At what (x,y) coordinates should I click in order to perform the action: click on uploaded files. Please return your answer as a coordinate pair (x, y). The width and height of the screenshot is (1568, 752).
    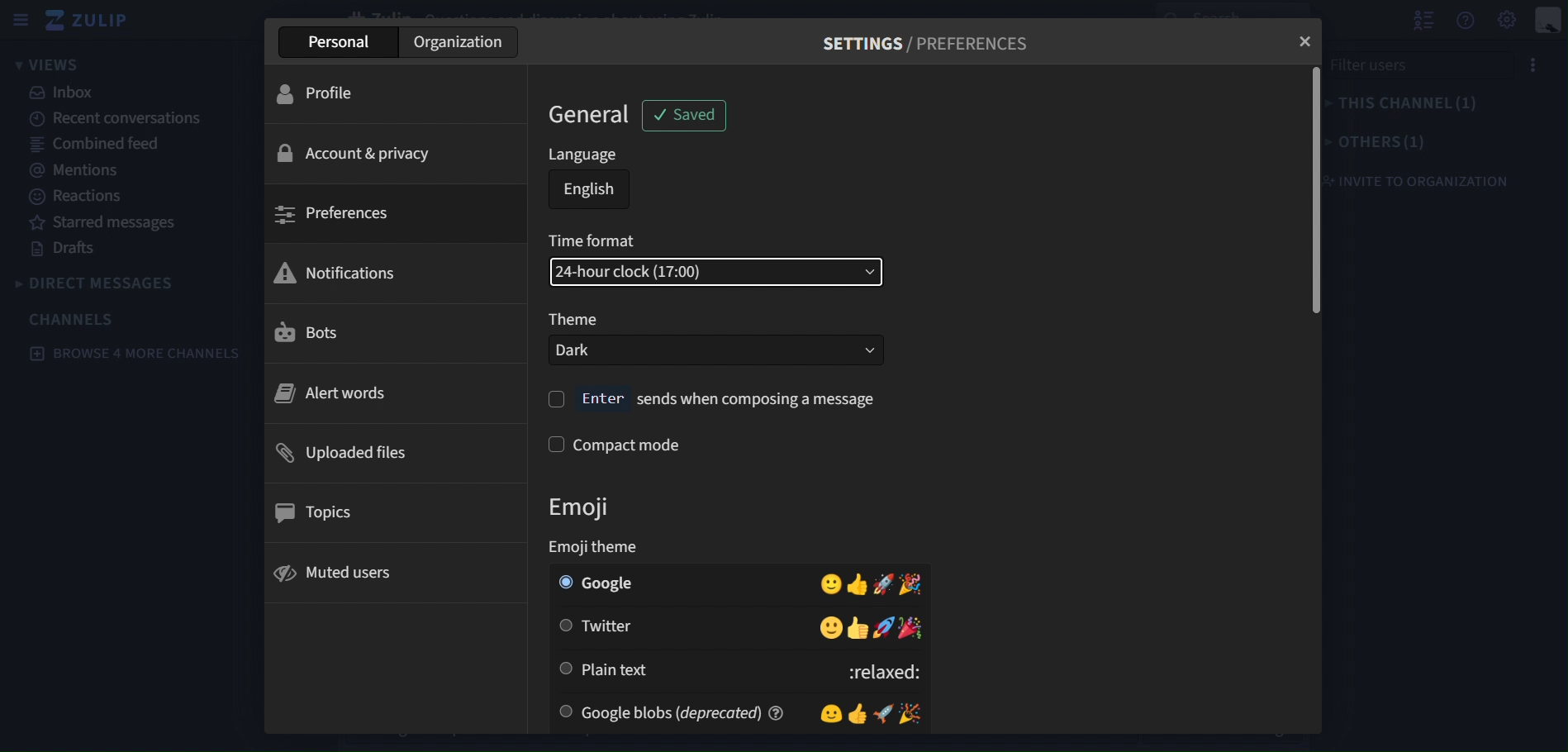
    Looking at the image, I should click on (391, 450).